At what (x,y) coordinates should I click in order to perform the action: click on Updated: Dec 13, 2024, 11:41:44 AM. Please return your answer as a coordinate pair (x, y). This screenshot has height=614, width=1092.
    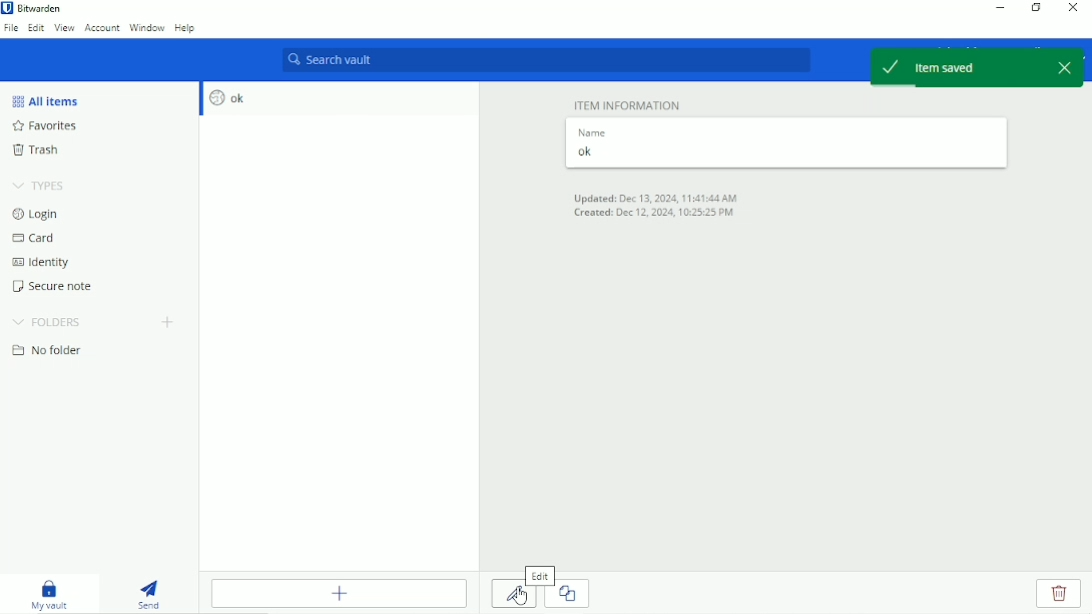
    Looking at the image, I should click on (655, 197).